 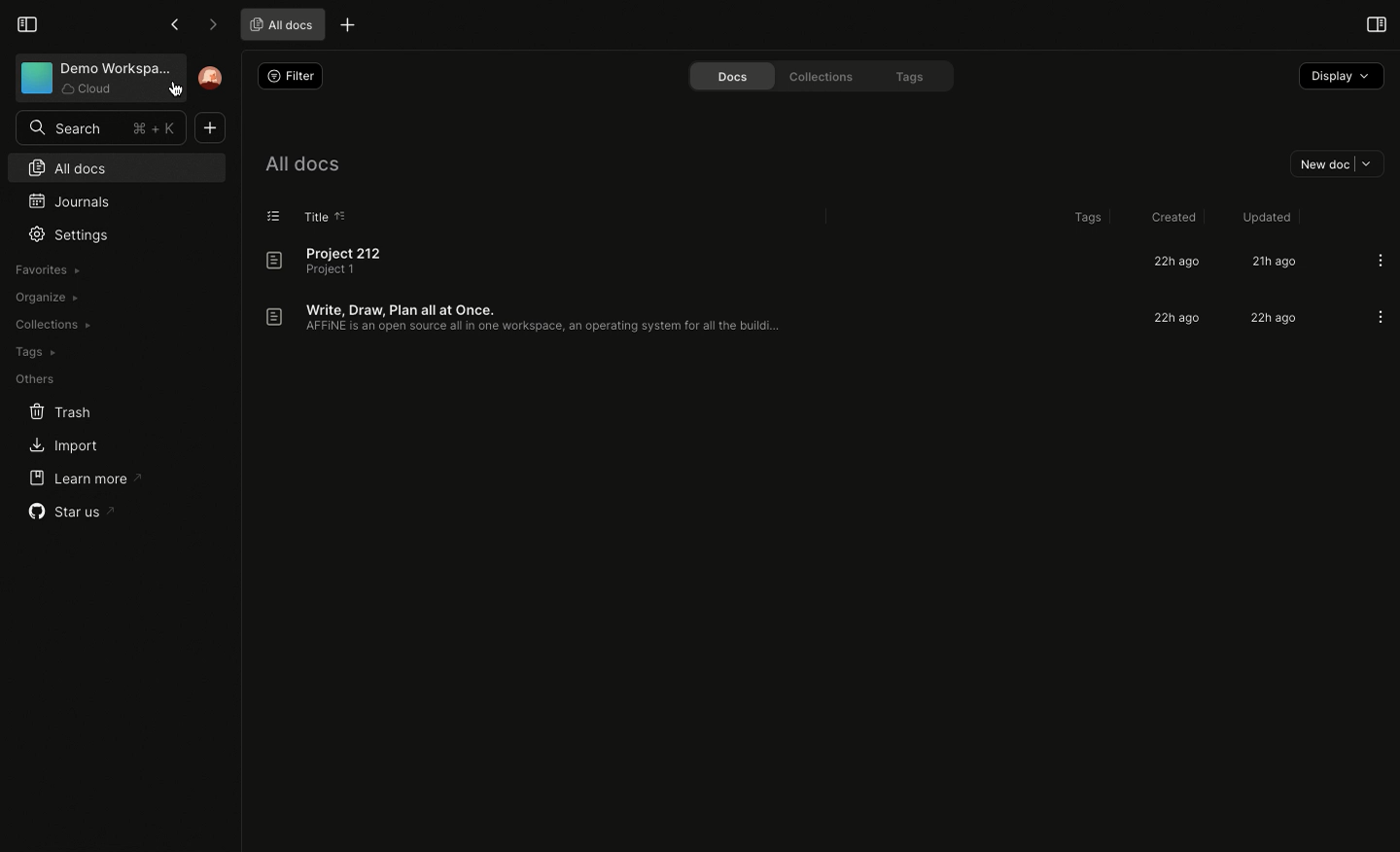 What do you see at coordinates (822, 77) in the screenshot?
I see `Collections` at bounding box center [822, 77].